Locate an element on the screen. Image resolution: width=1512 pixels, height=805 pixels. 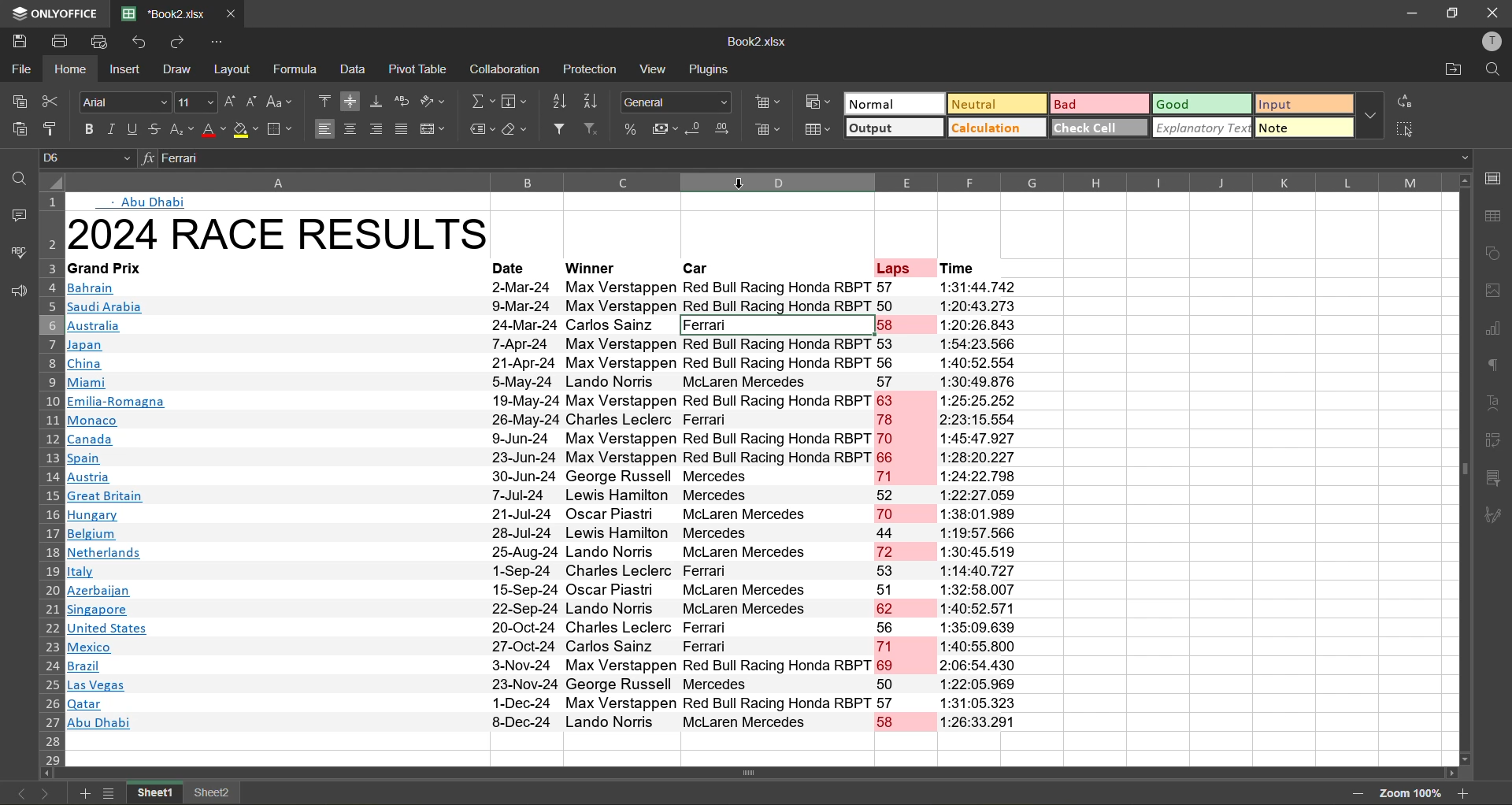
column names is located at coordinates (762, 181).